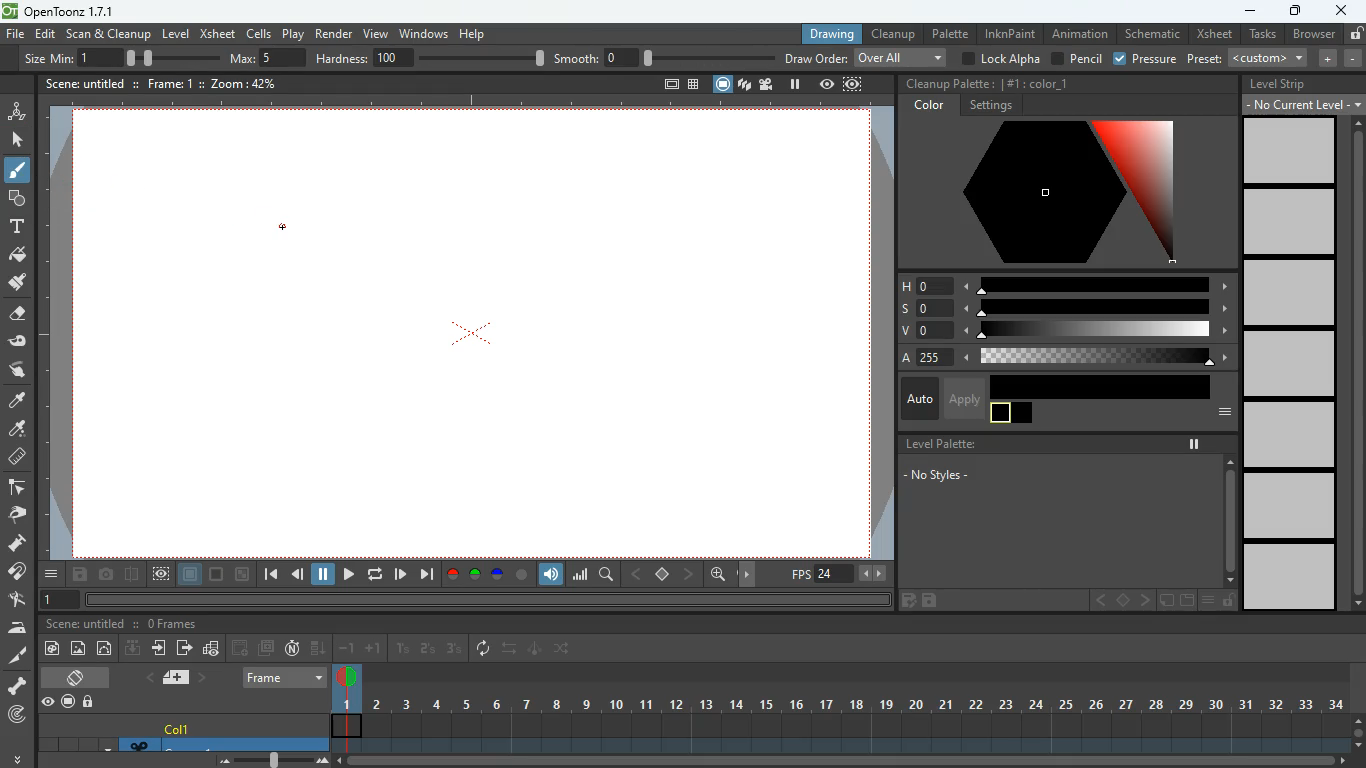  Describe the element at coordinates (949, 33) in the screenshot. I see `palette` at that location.